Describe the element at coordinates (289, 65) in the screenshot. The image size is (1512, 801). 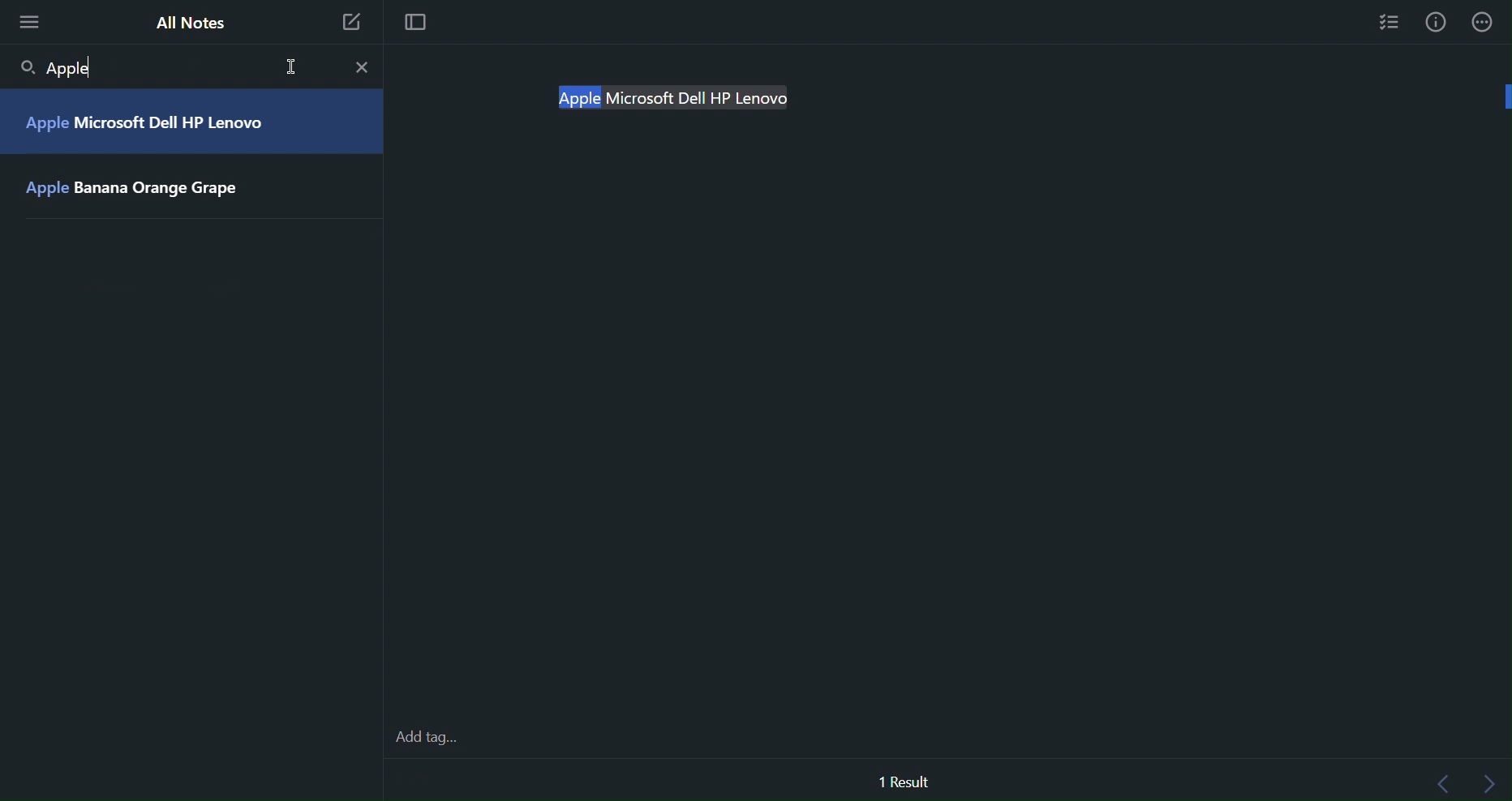
I see `Cursor` at that location.